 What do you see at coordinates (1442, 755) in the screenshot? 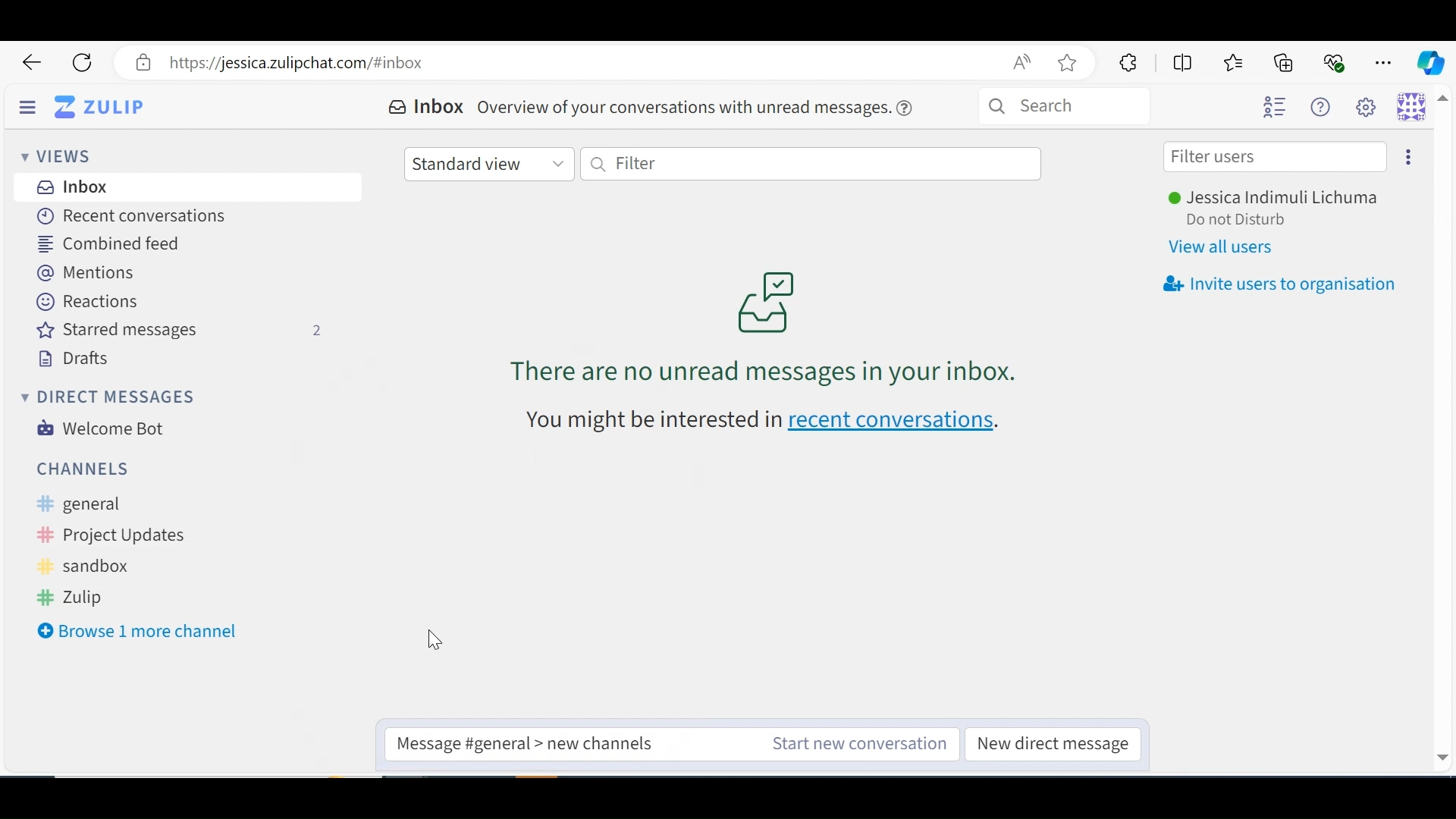
I see `Down` at bounding box center [1442, 755].